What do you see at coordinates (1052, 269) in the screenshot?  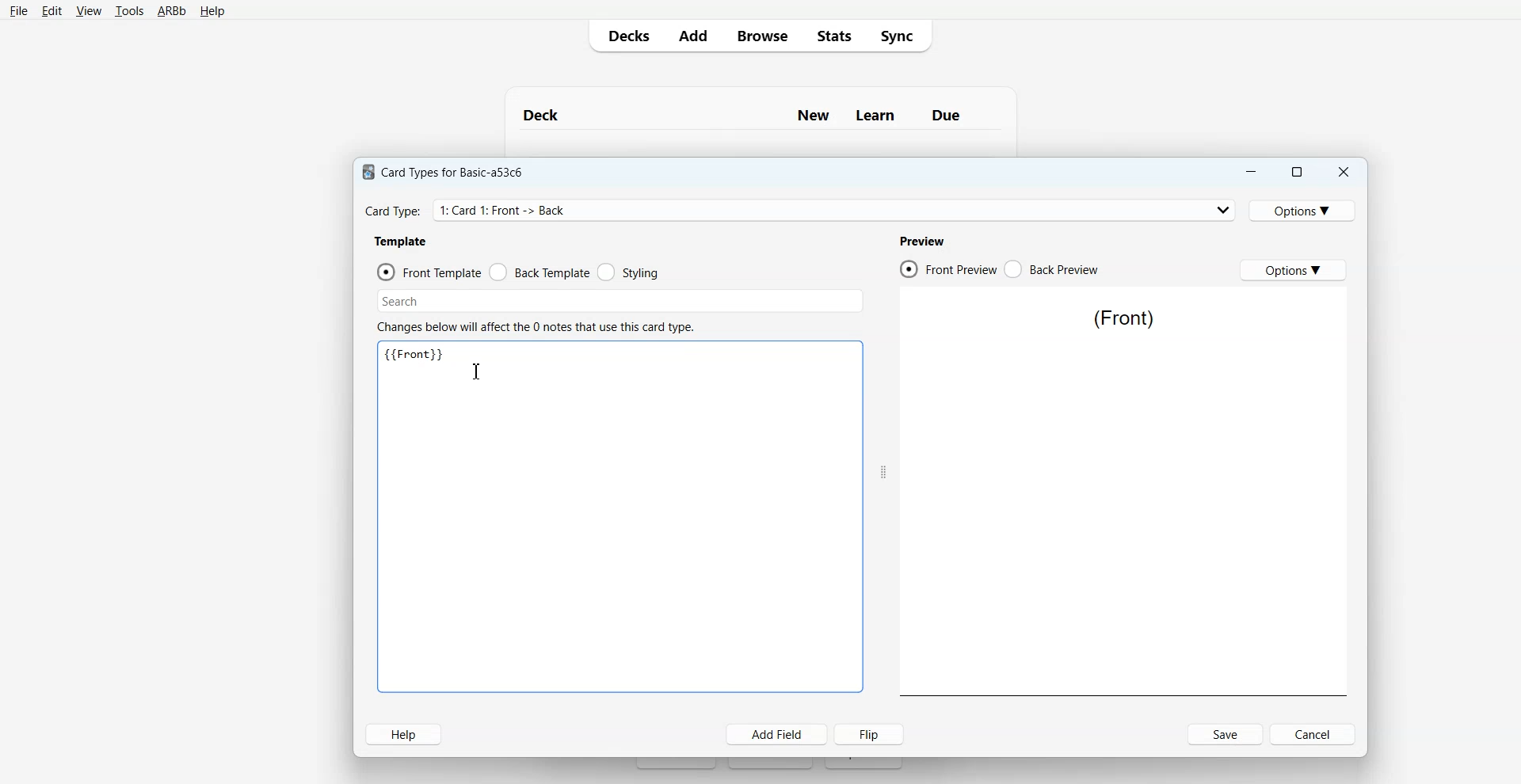 I see `Back Preview` at bounding box center [1052, 269].